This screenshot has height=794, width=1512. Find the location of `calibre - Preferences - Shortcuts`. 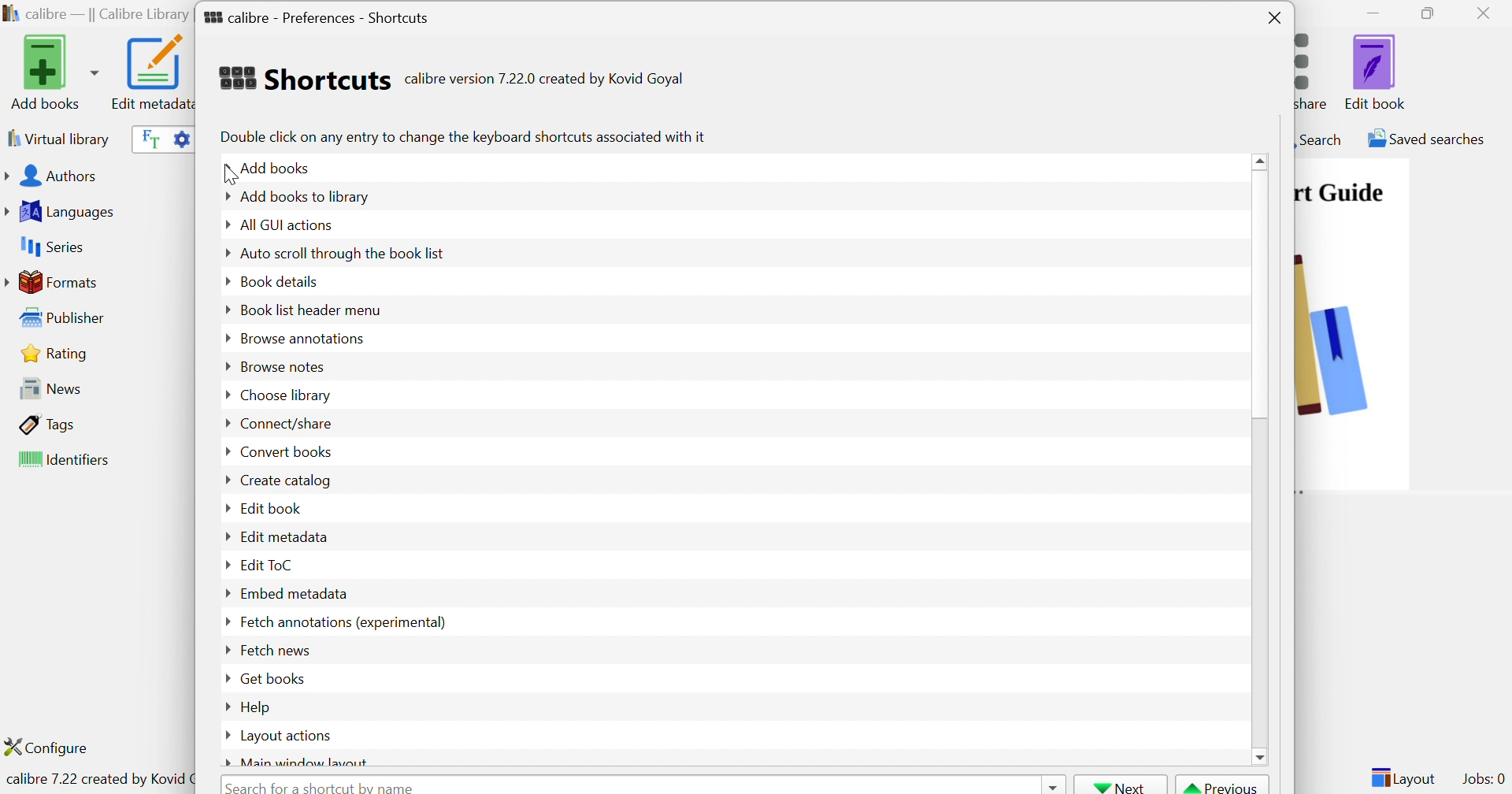

calibre - Preferences - Shortcuts is located at coordinates (317, 14).